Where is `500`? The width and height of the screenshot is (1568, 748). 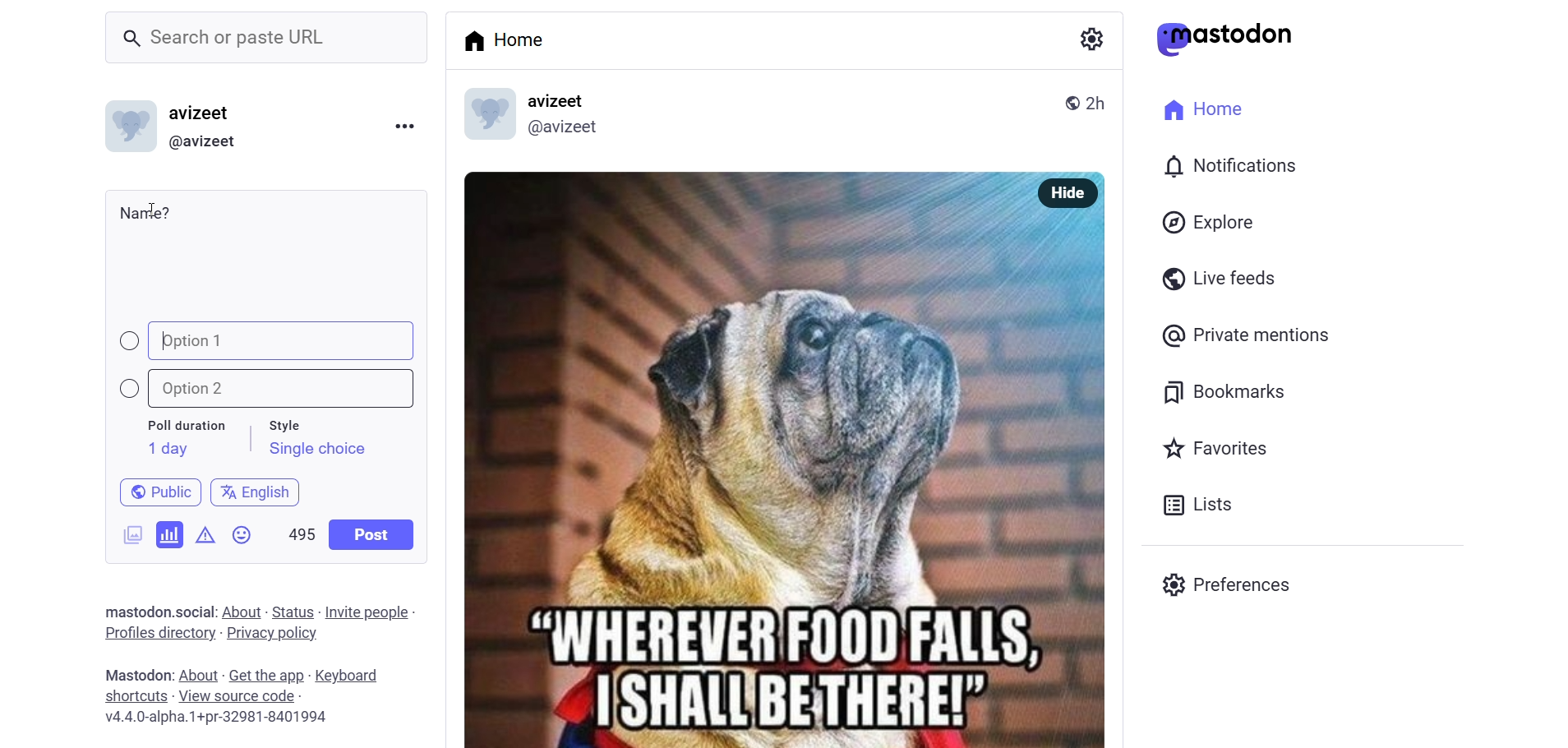 500 is located at coordinates (300, 531).